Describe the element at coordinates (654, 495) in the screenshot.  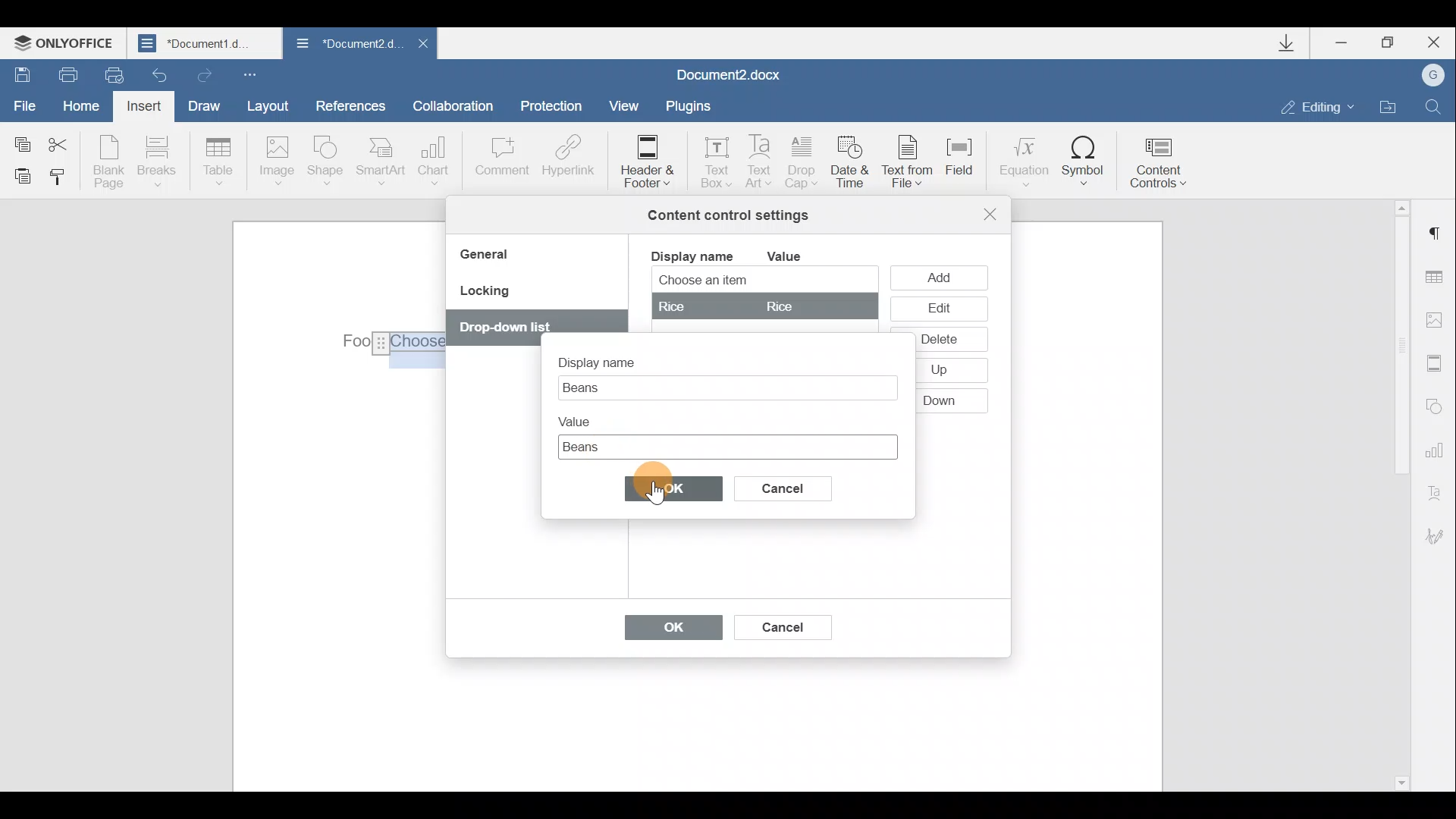
I see `Cursor` at that location.